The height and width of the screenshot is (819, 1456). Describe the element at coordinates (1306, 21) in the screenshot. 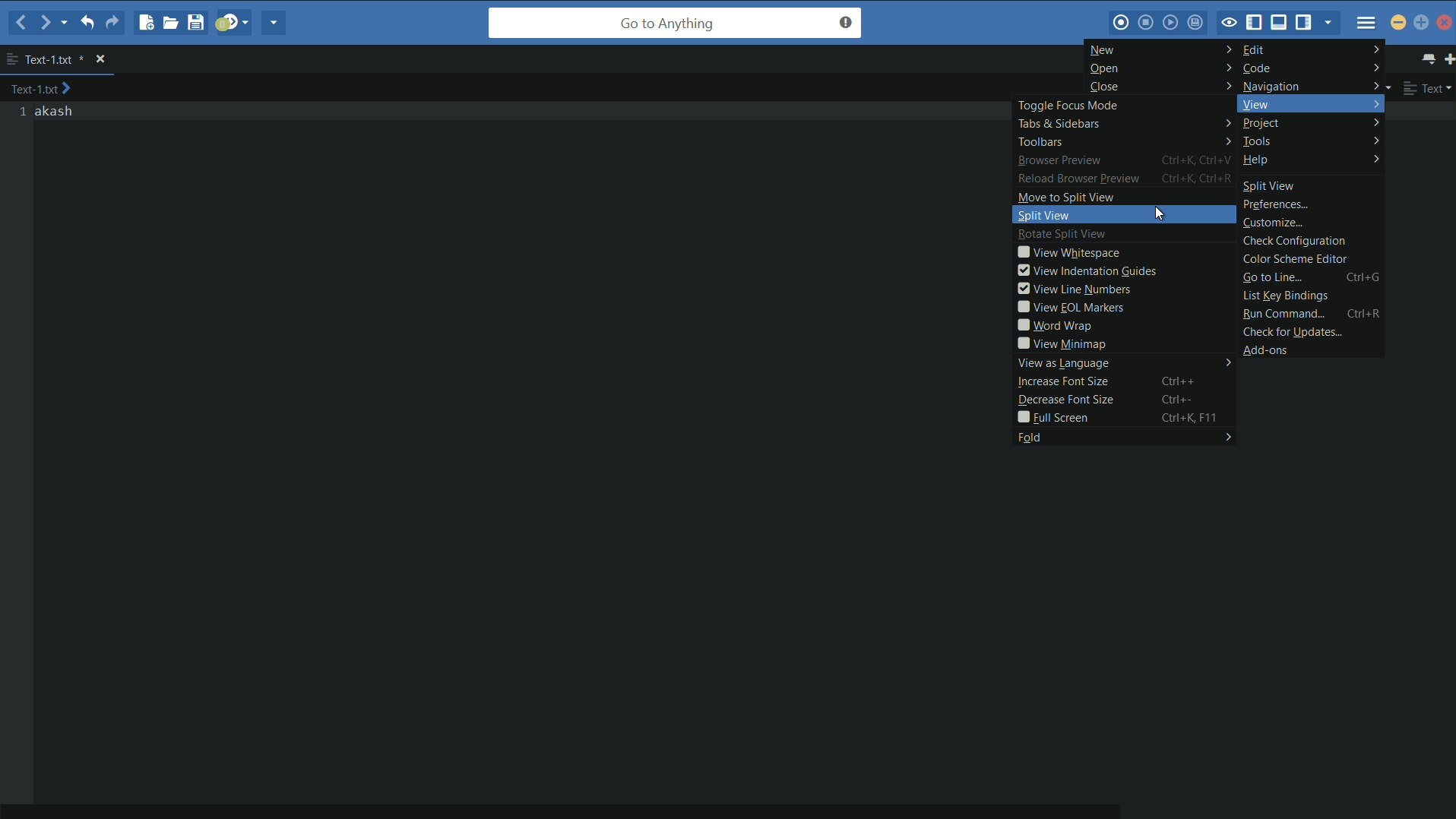

I see `show/hide right panel` at that location.